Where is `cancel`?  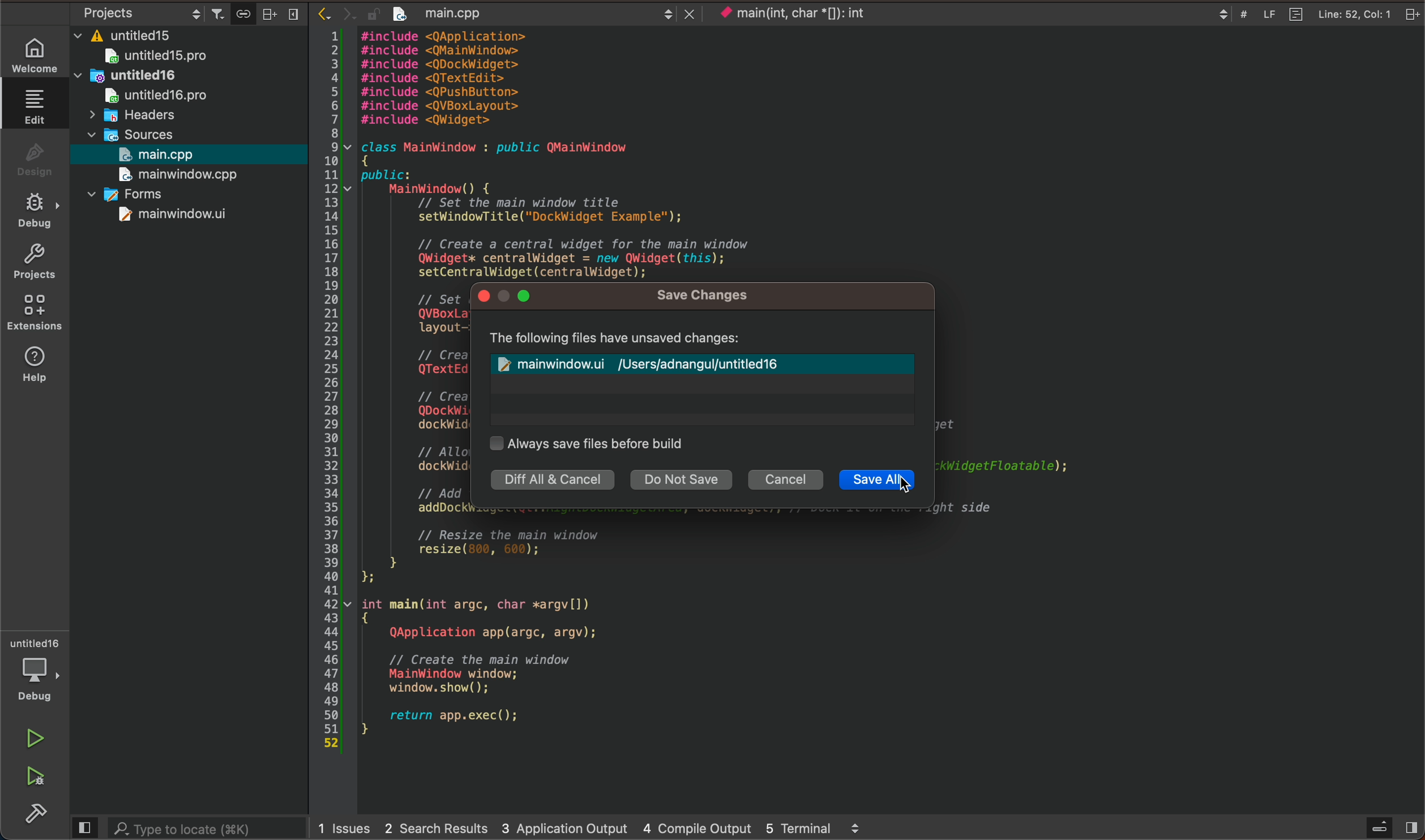 cancel is located at coordinates (786, 480).